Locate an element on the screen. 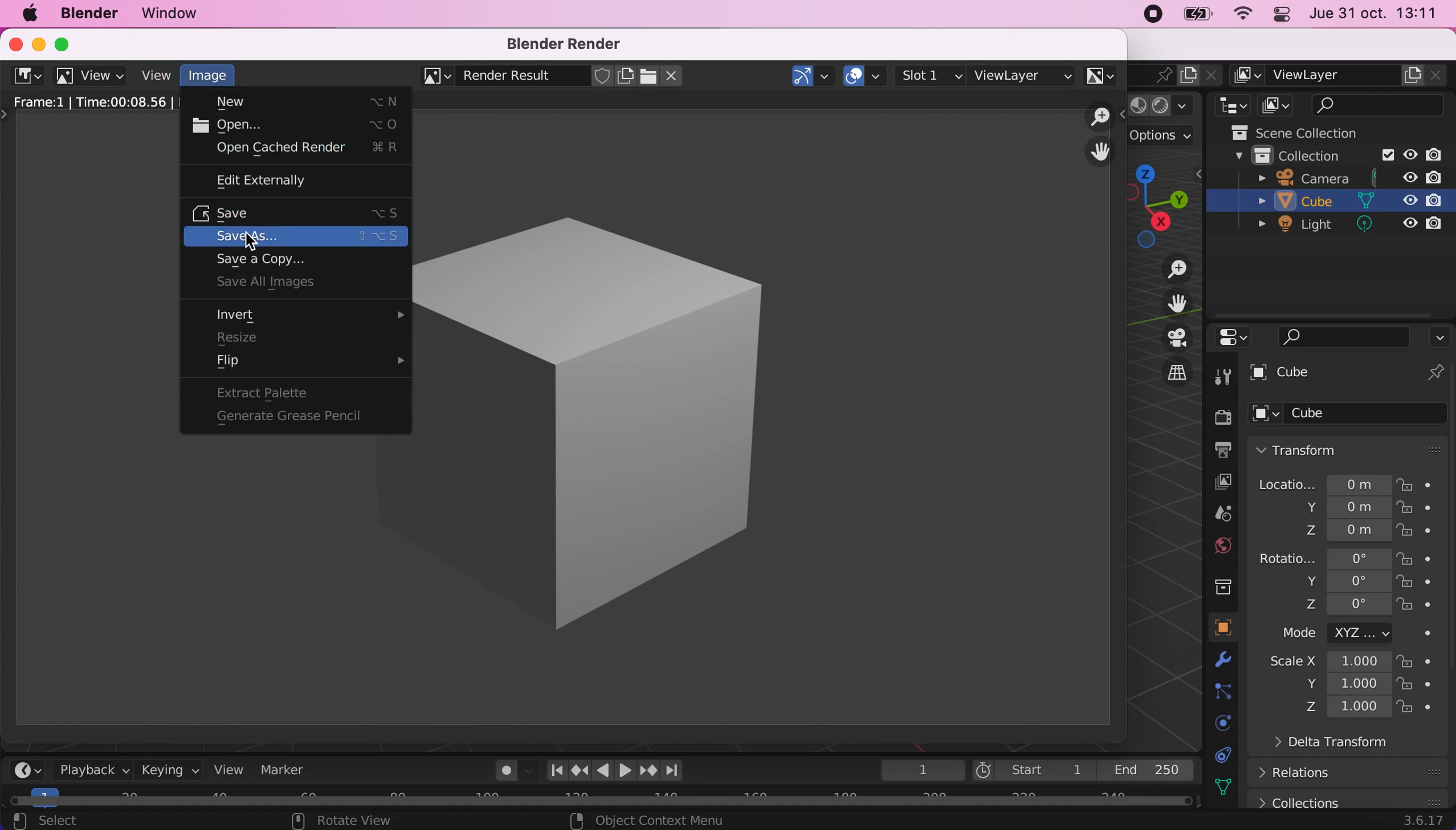 The height and width of the screenshot is (830, 1456). camera is located at coordinates (1349, 177).